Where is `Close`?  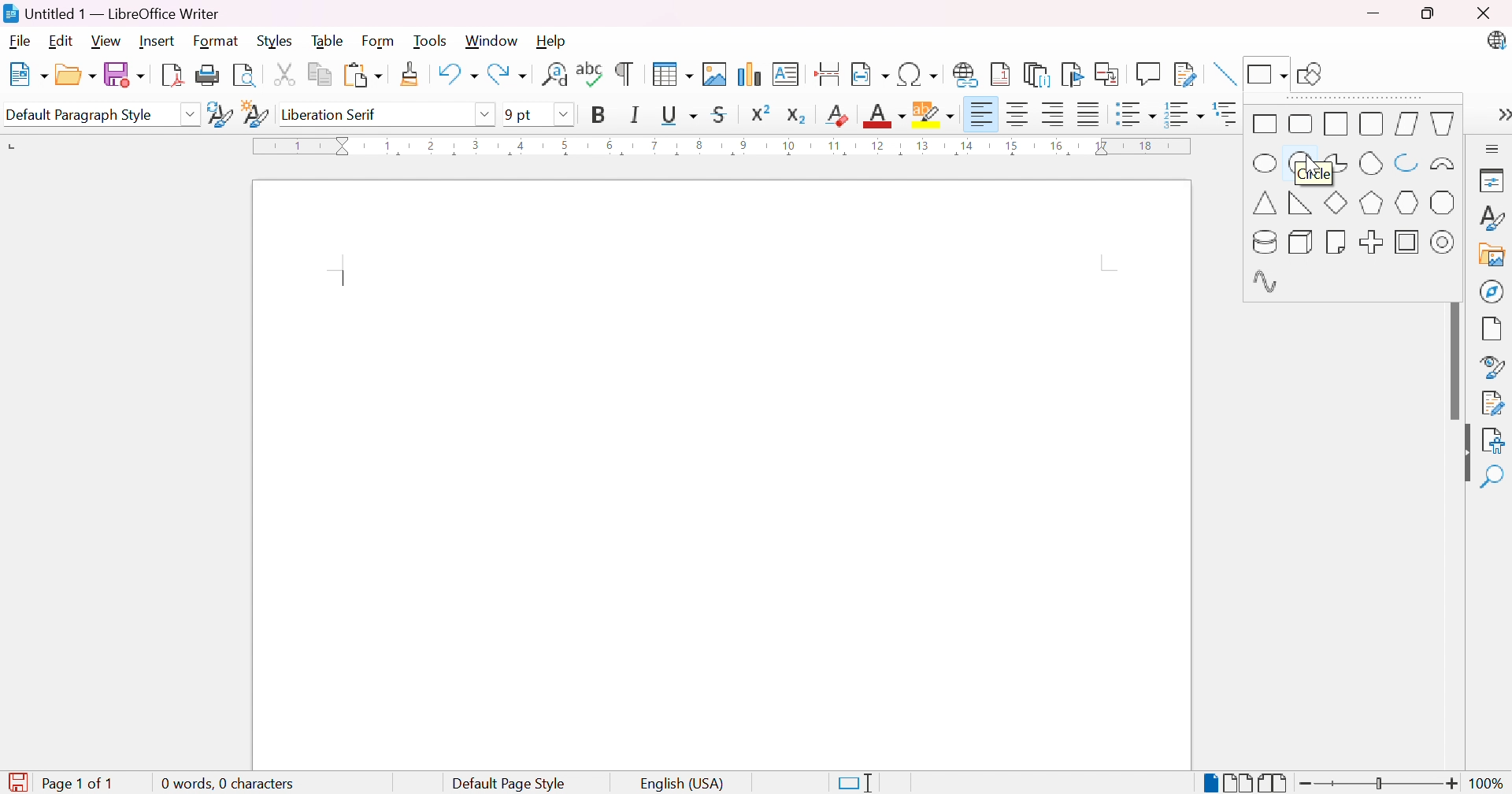 Close is located at coordinates (1481, 13).